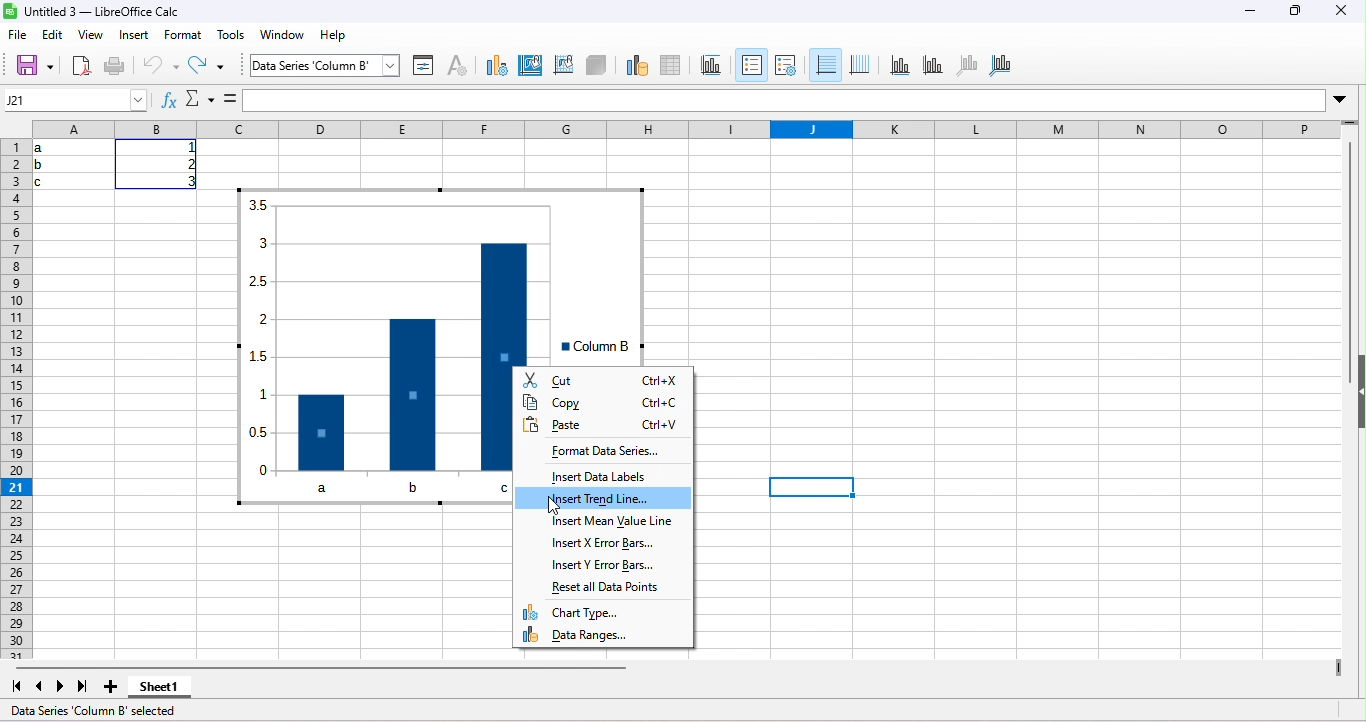  What do you see at coordinates (35, 65) in the screenshot?
I see `save` at bounding box center [35, 65].